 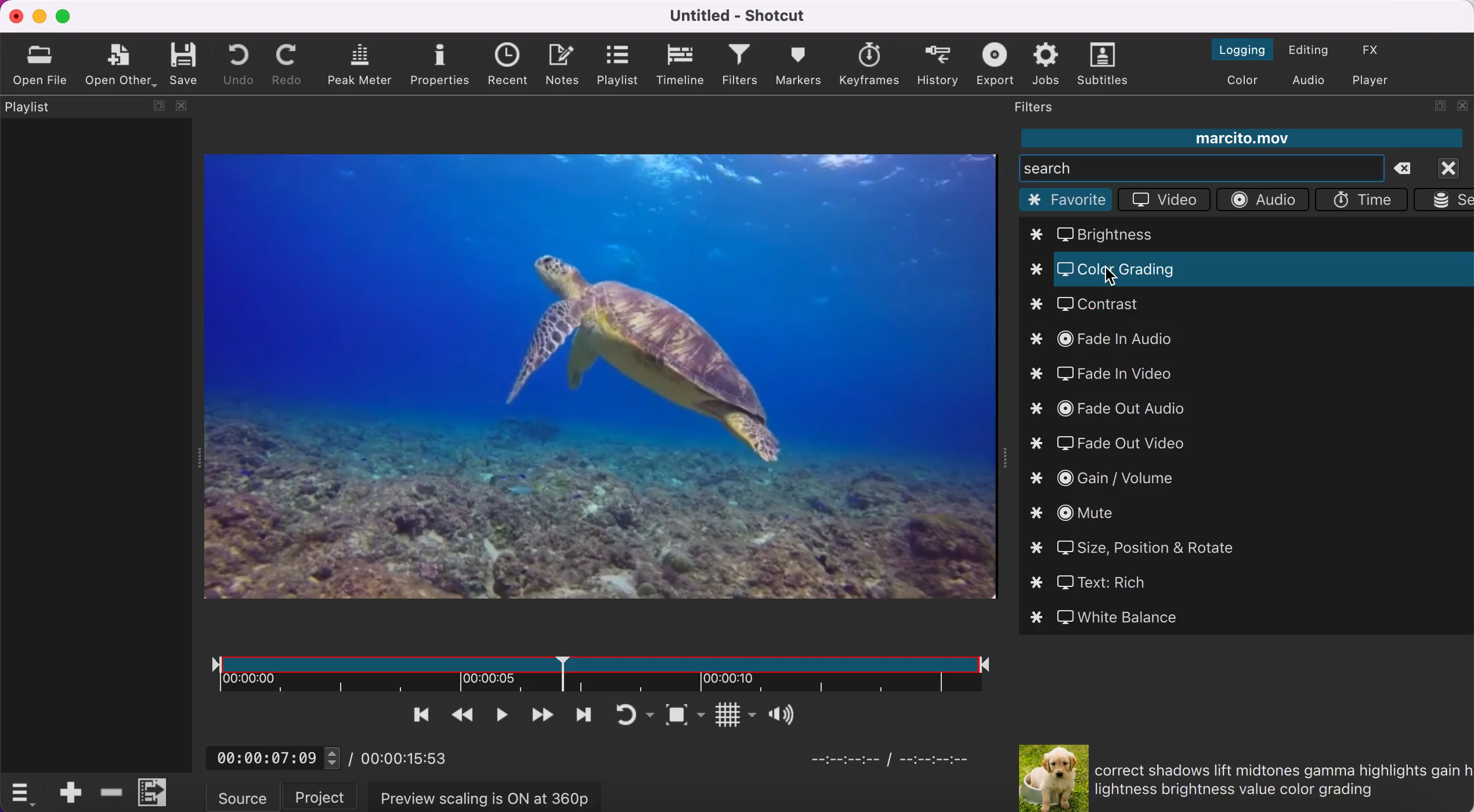 What do you see at coordinates (1410, 169) in the screenshot?
I see `clear` at bounding box center [1410, 169].